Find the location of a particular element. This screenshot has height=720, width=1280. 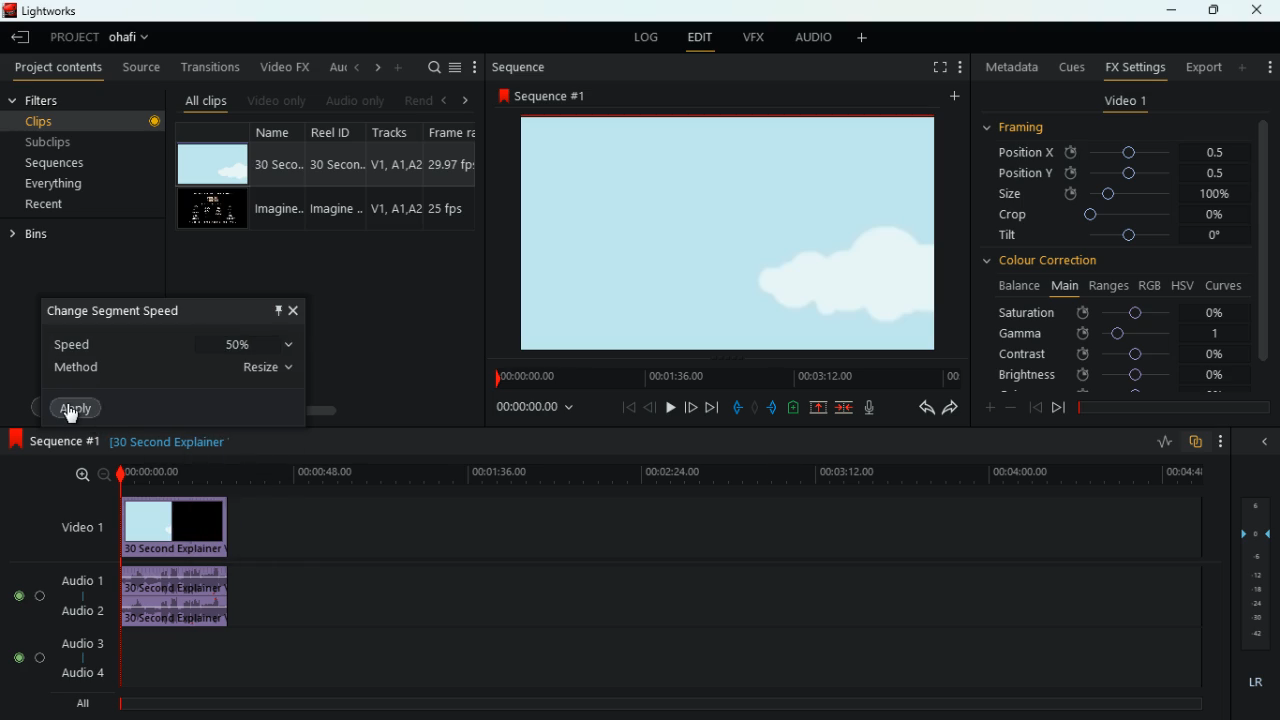

video is located at coordinates (215, 209).